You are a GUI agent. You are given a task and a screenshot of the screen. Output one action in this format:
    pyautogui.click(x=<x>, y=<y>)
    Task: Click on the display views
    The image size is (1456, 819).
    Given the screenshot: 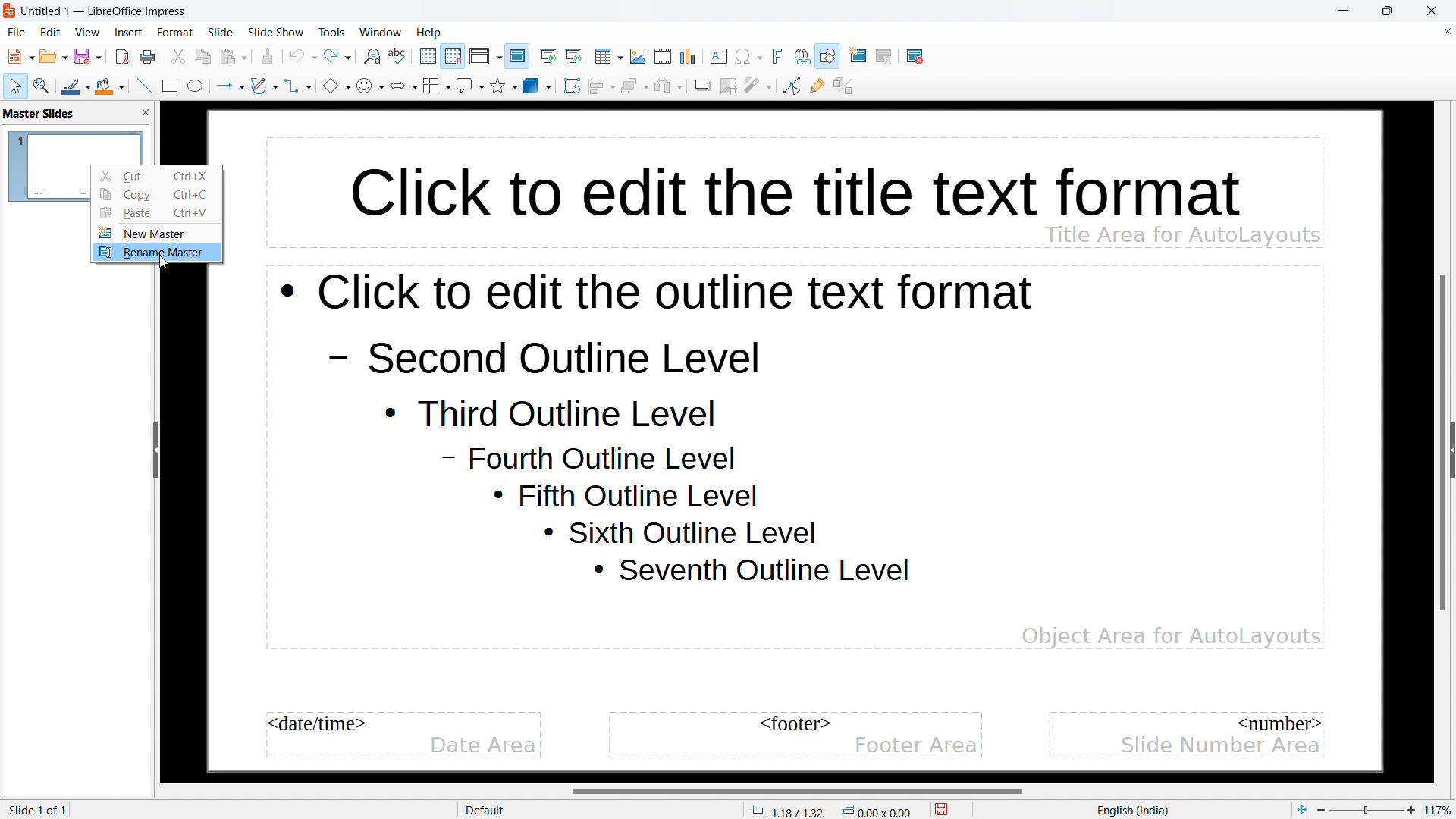 What is the action you would take?
    pyautogui.click(x=485, y=56)
    